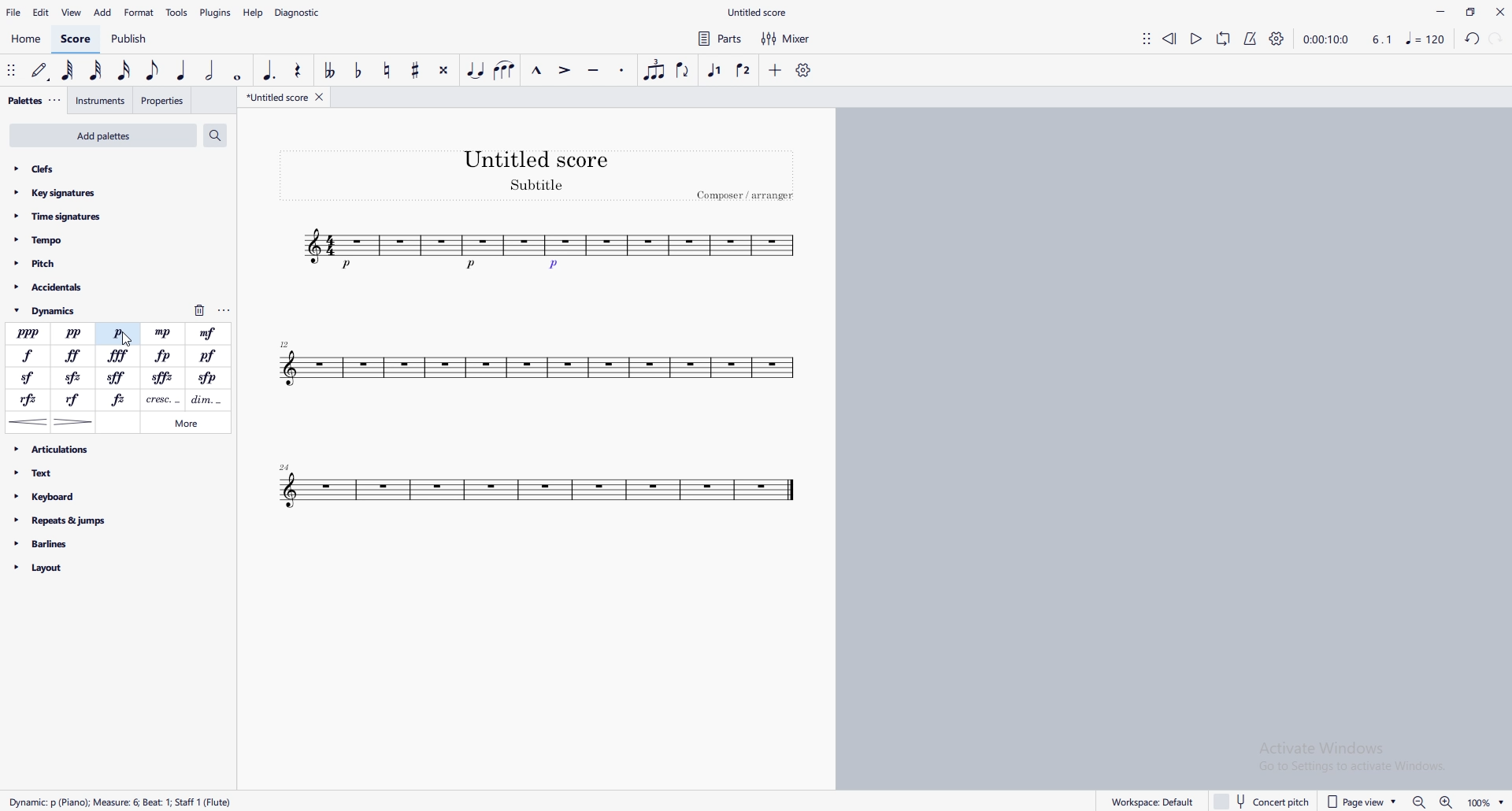  I want to click on tenuto, so click(594, 71).